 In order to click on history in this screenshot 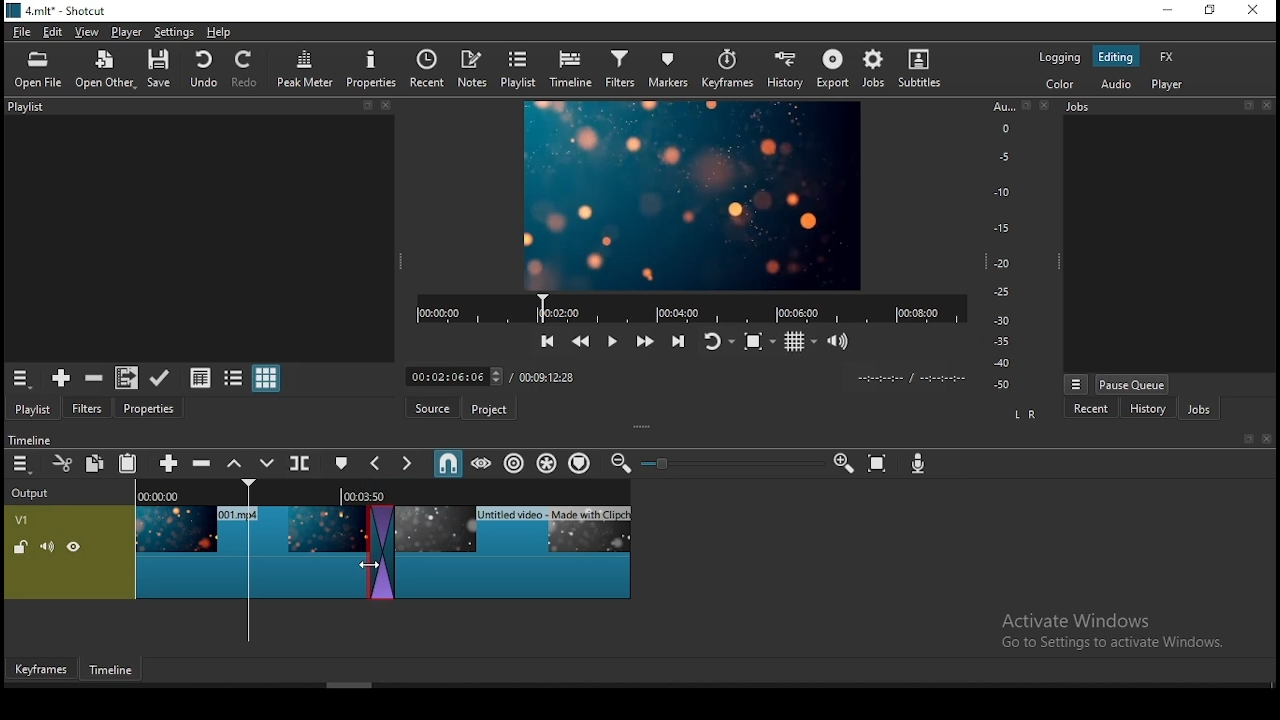, I will do `click(787, 69)`.